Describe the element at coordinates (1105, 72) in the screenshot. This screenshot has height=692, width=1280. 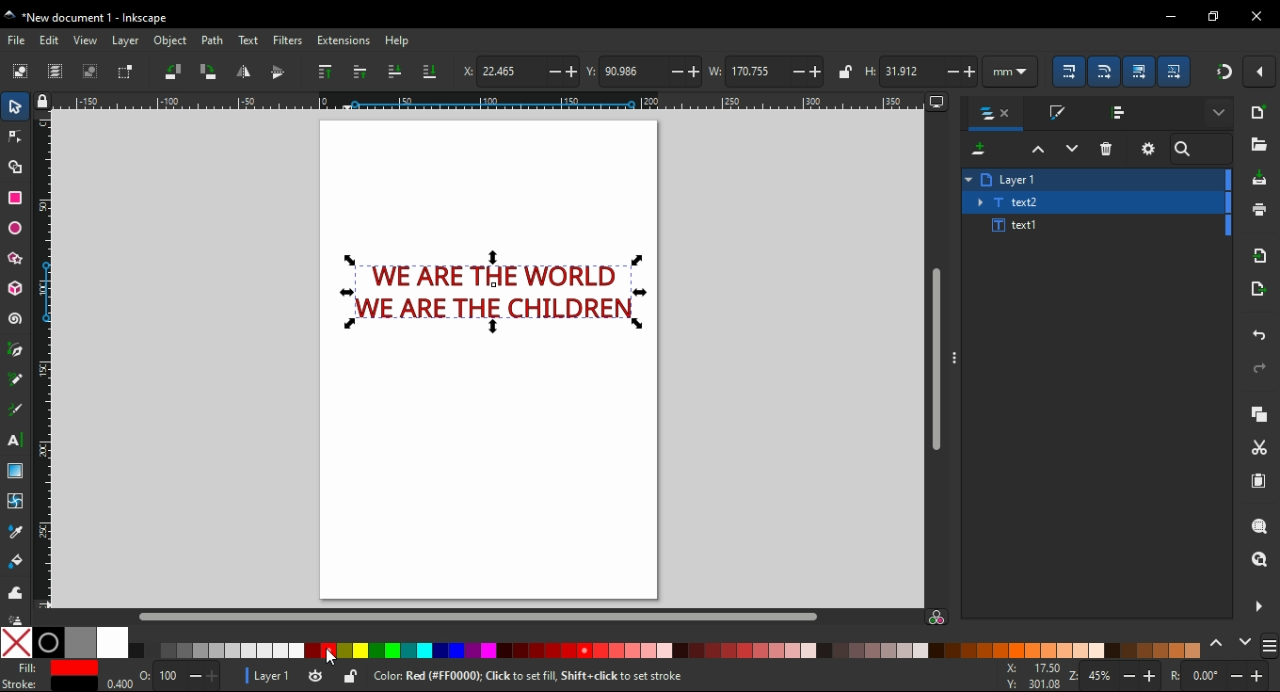
I see `scale ready of round corners` at that location.